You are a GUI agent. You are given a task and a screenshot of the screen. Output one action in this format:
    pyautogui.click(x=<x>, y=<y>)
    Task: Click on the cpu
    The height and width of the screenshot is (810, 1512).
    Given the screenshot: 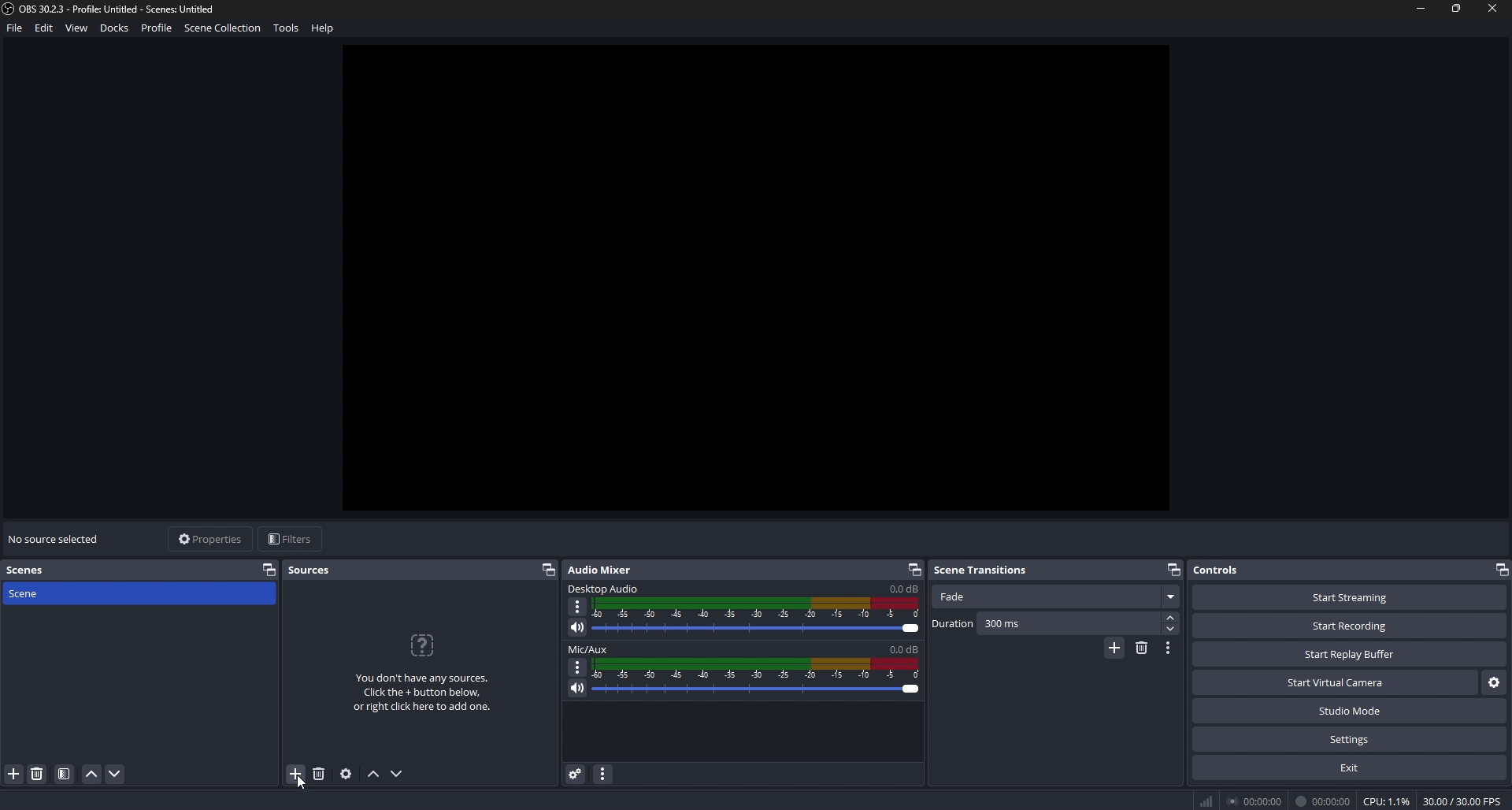 What is the action you would take?
    pyautogui.click(x=1388, y=801)
    